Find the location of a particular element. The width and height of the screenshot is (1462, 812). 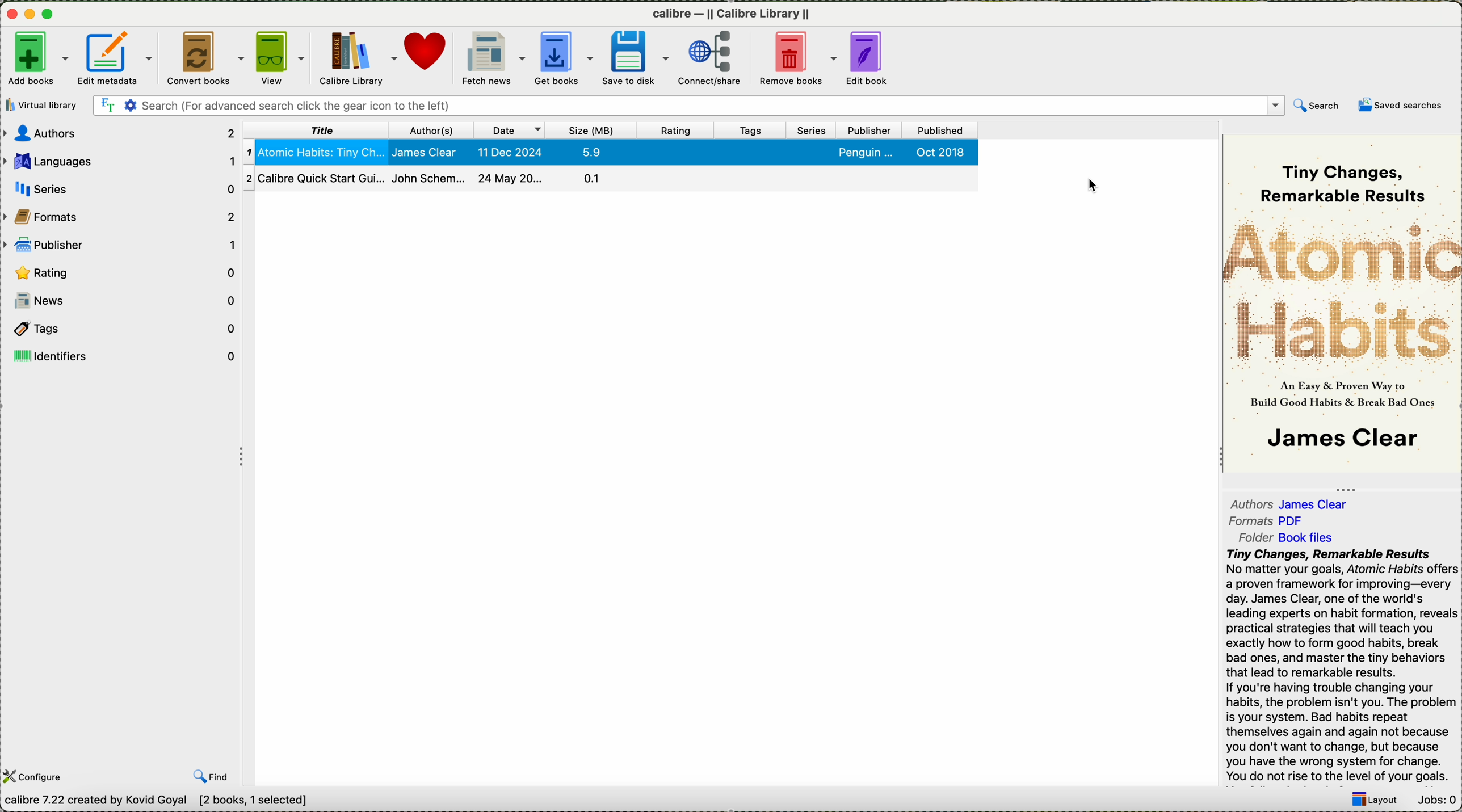

date is located at coordinates (510, 129).